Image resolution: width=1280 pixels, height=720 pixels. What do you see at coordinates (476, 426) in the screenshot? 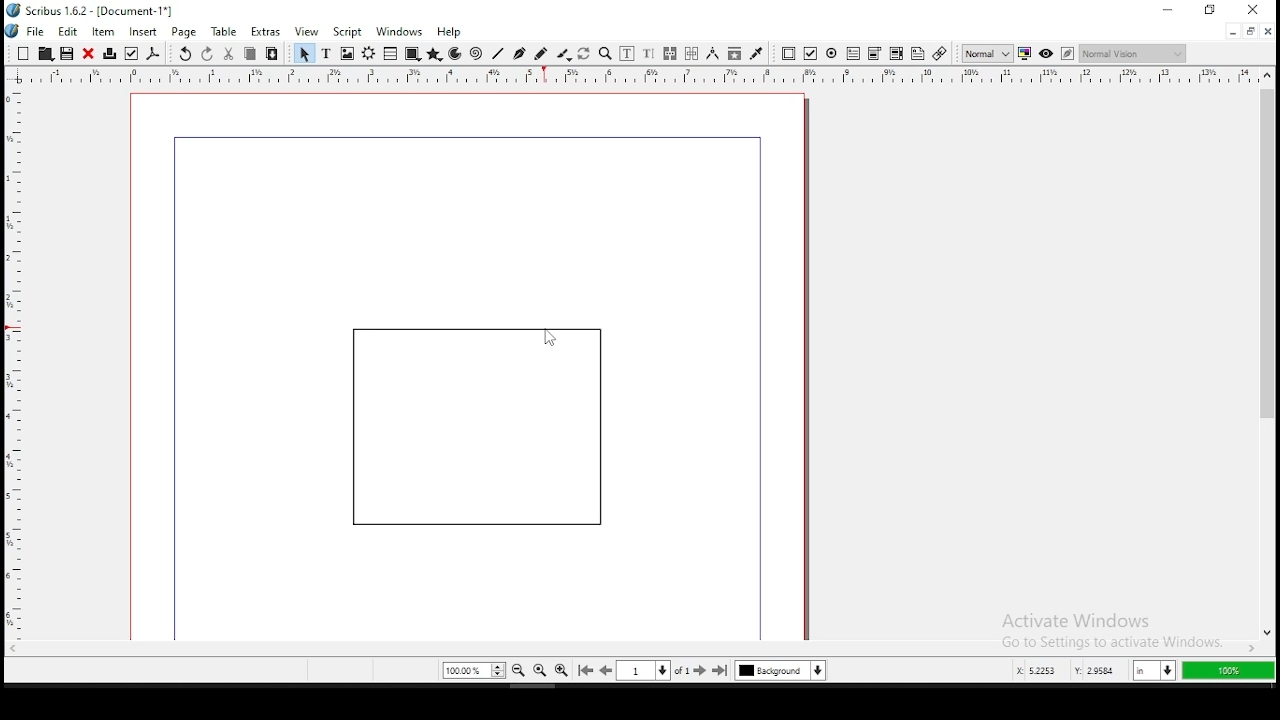
I see `shape` at bounding box center [476, 426].